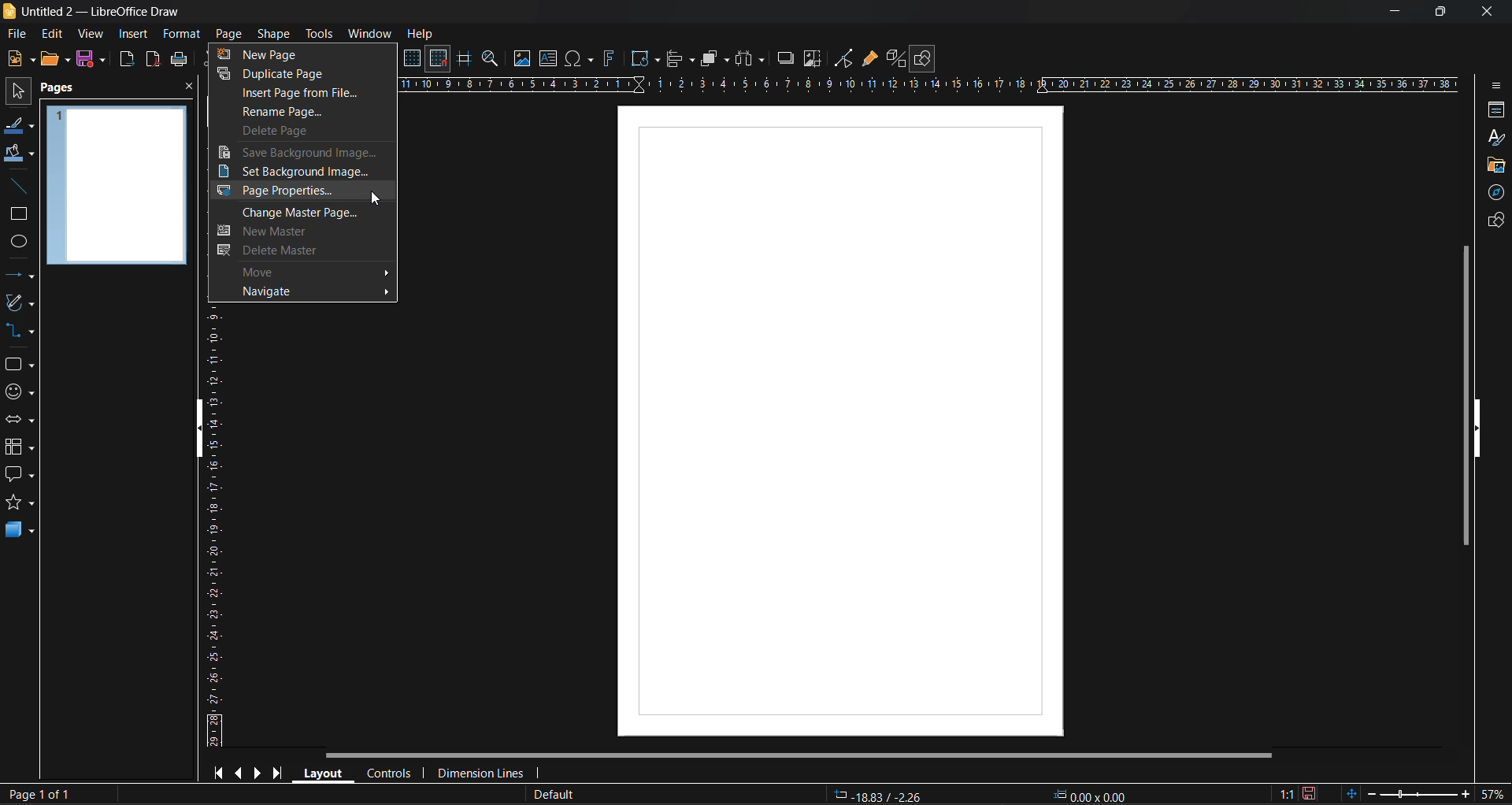  Describe the element at coordinates (16, 185) in the screenshot. I see `insert line` at that location.